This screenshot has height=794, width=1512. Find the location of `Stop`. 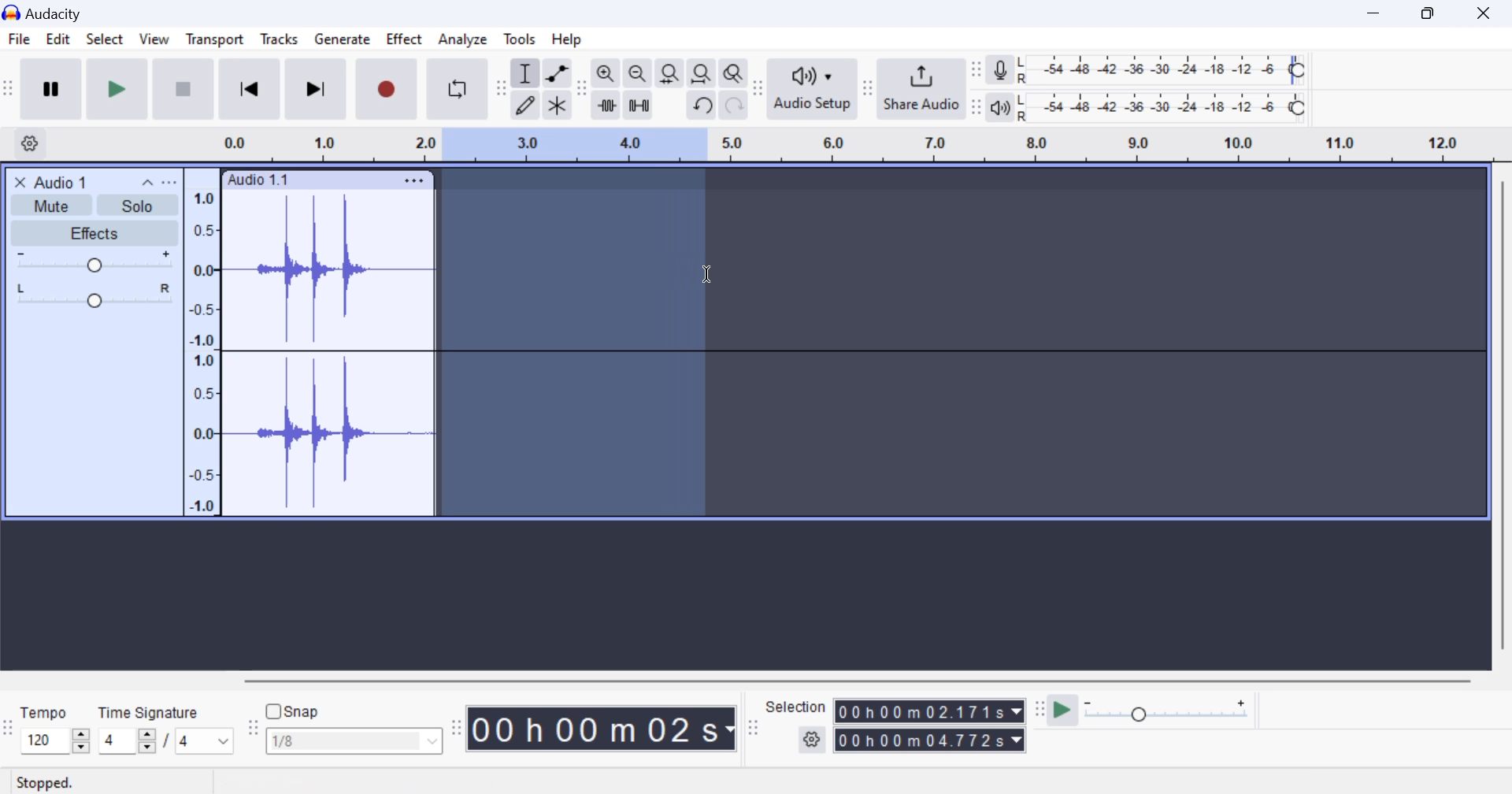

Stop is located at coordinates (185, 88).